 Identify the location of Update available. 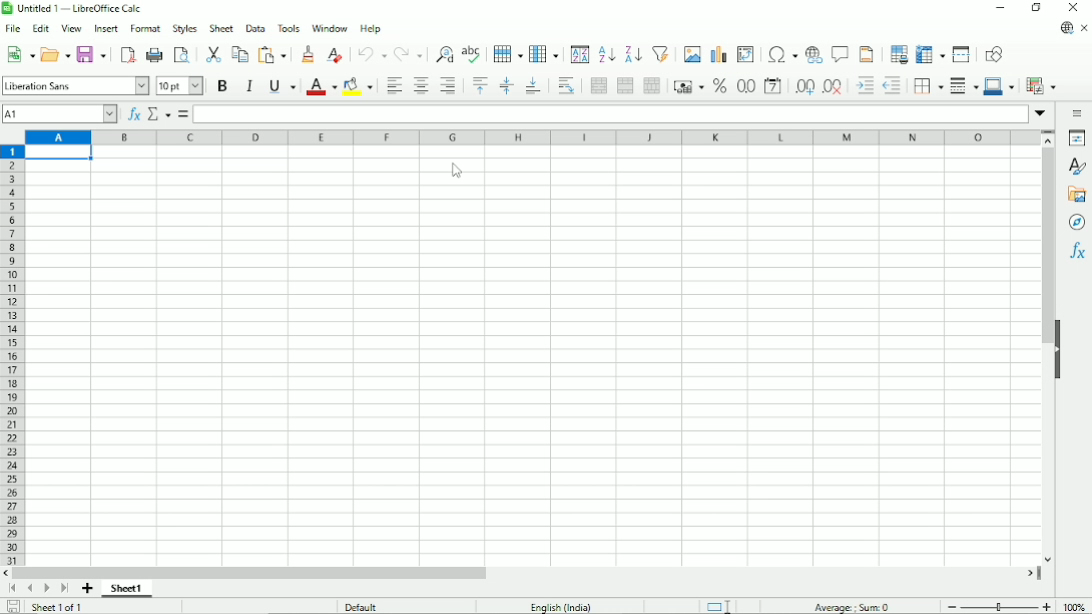
(1065, 28).